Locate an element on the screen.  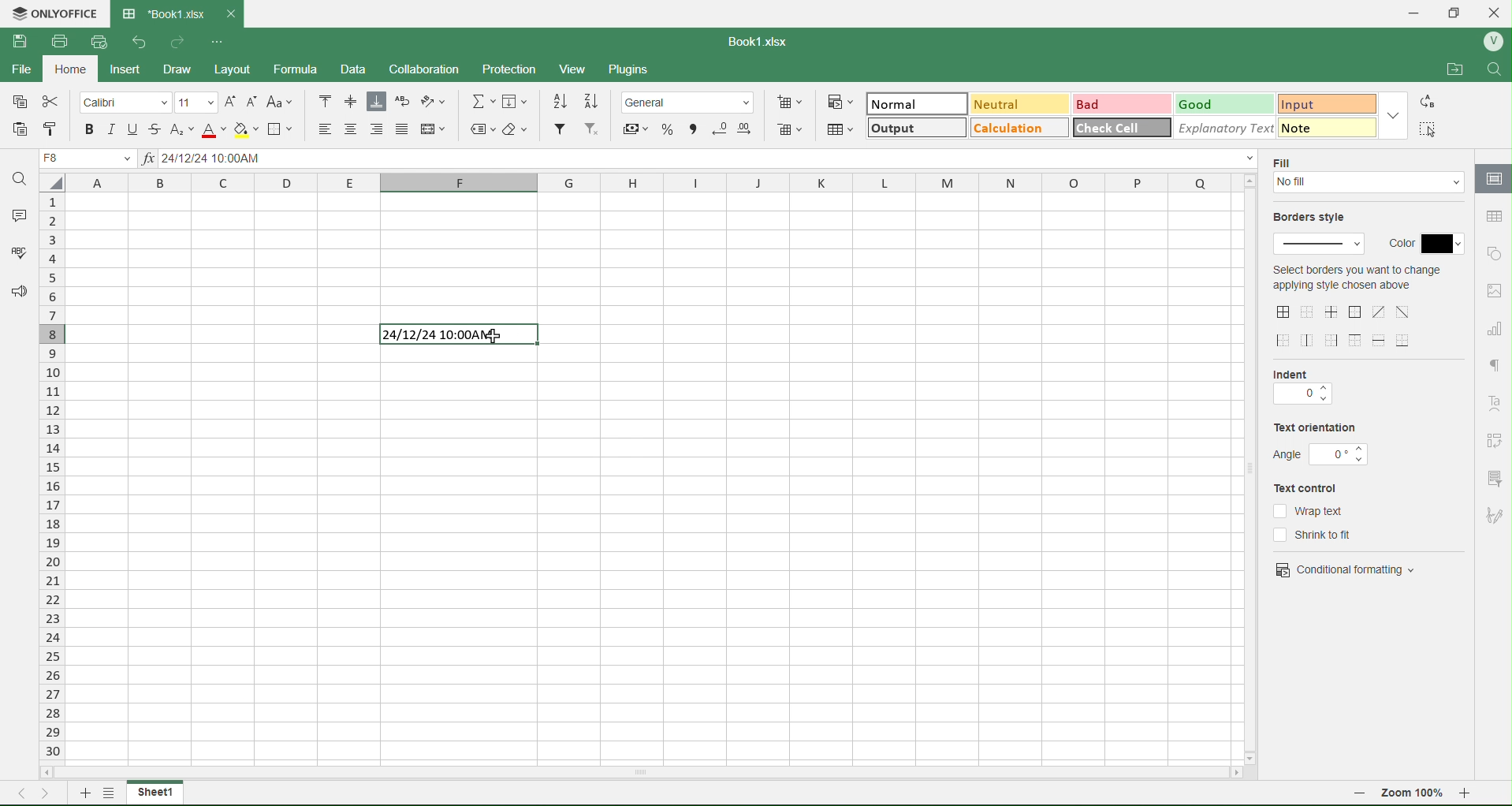
vertical scrol bar is located at coordinates (1250, 468).